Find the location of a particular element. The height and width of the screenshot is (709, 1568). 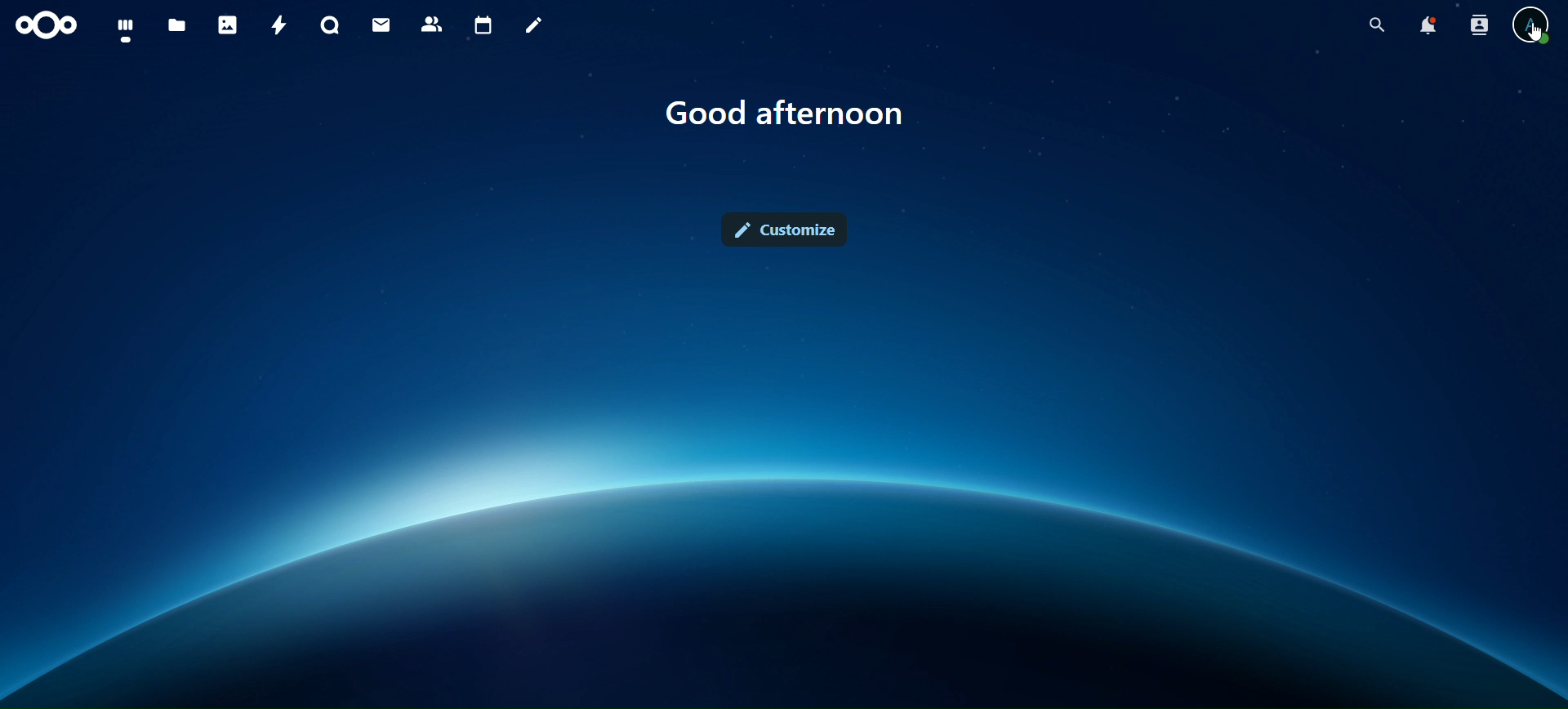

customize is located at coordinates (786, 230).